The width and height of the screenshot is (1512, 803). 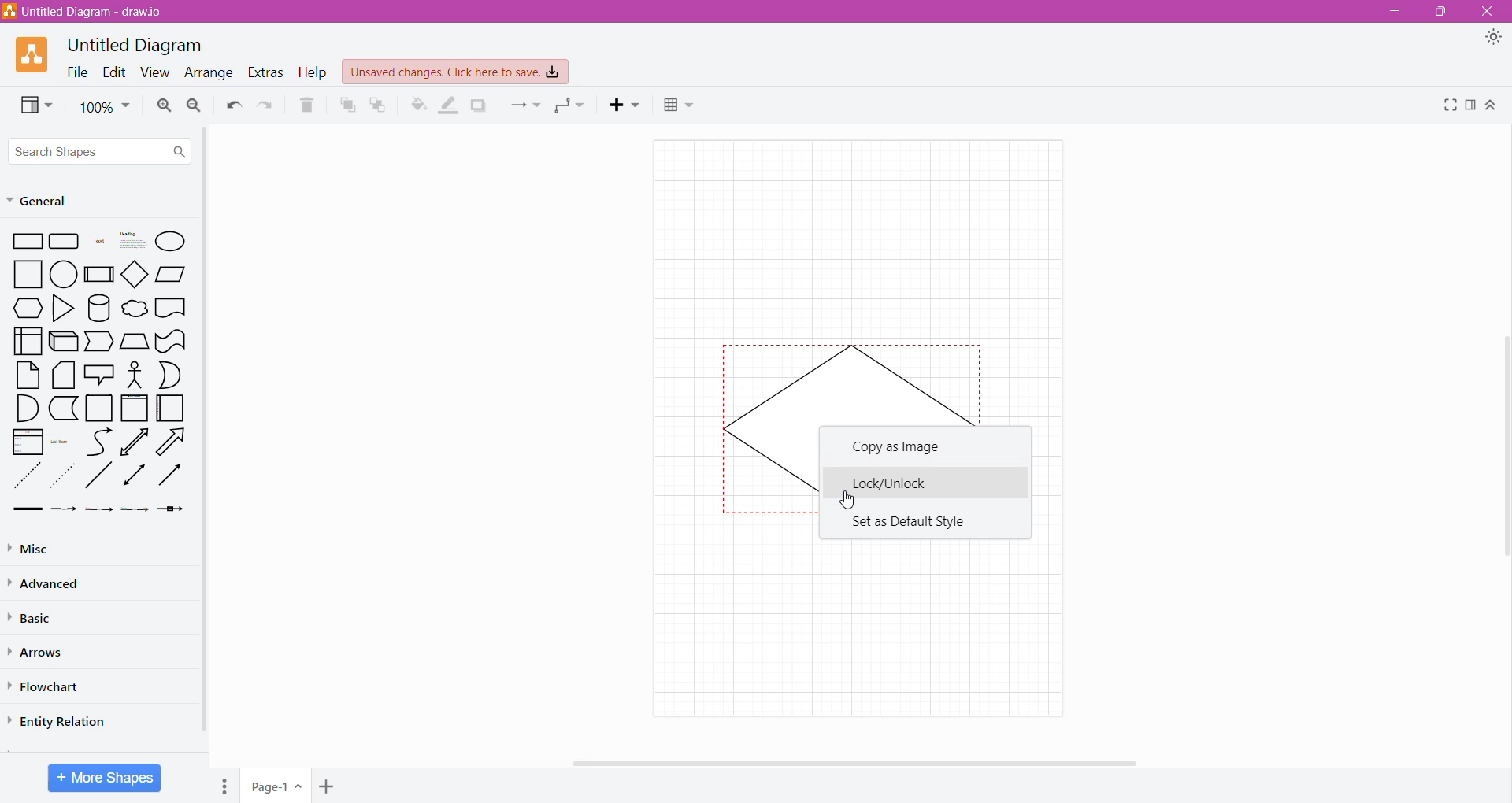 What do you see at coordinates (35, 616) in the screenshot?
I see `Basic` at bounding box center [35, 616].